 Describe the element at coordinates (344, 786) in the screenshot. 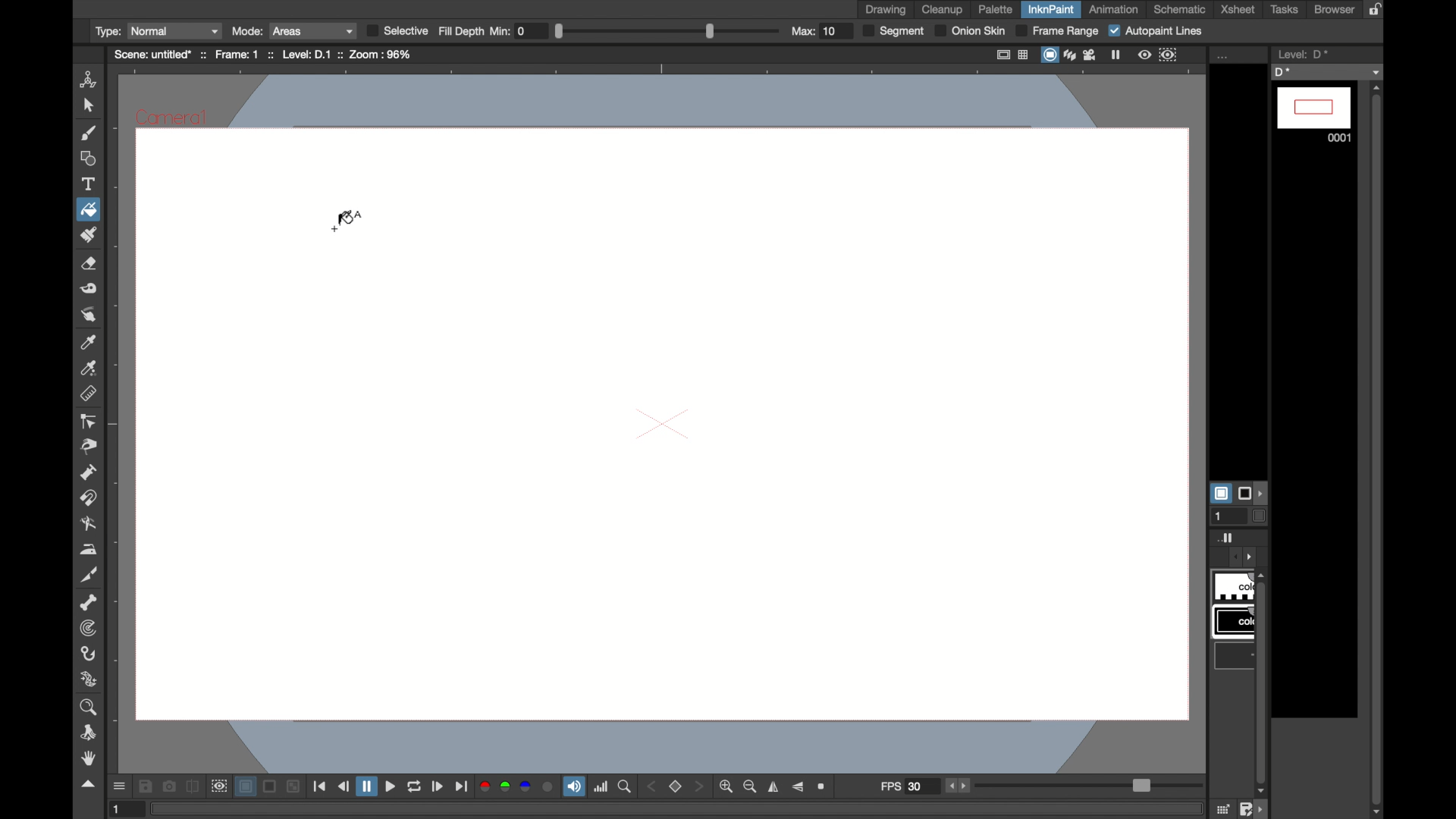

I see `previous frame` at that location.